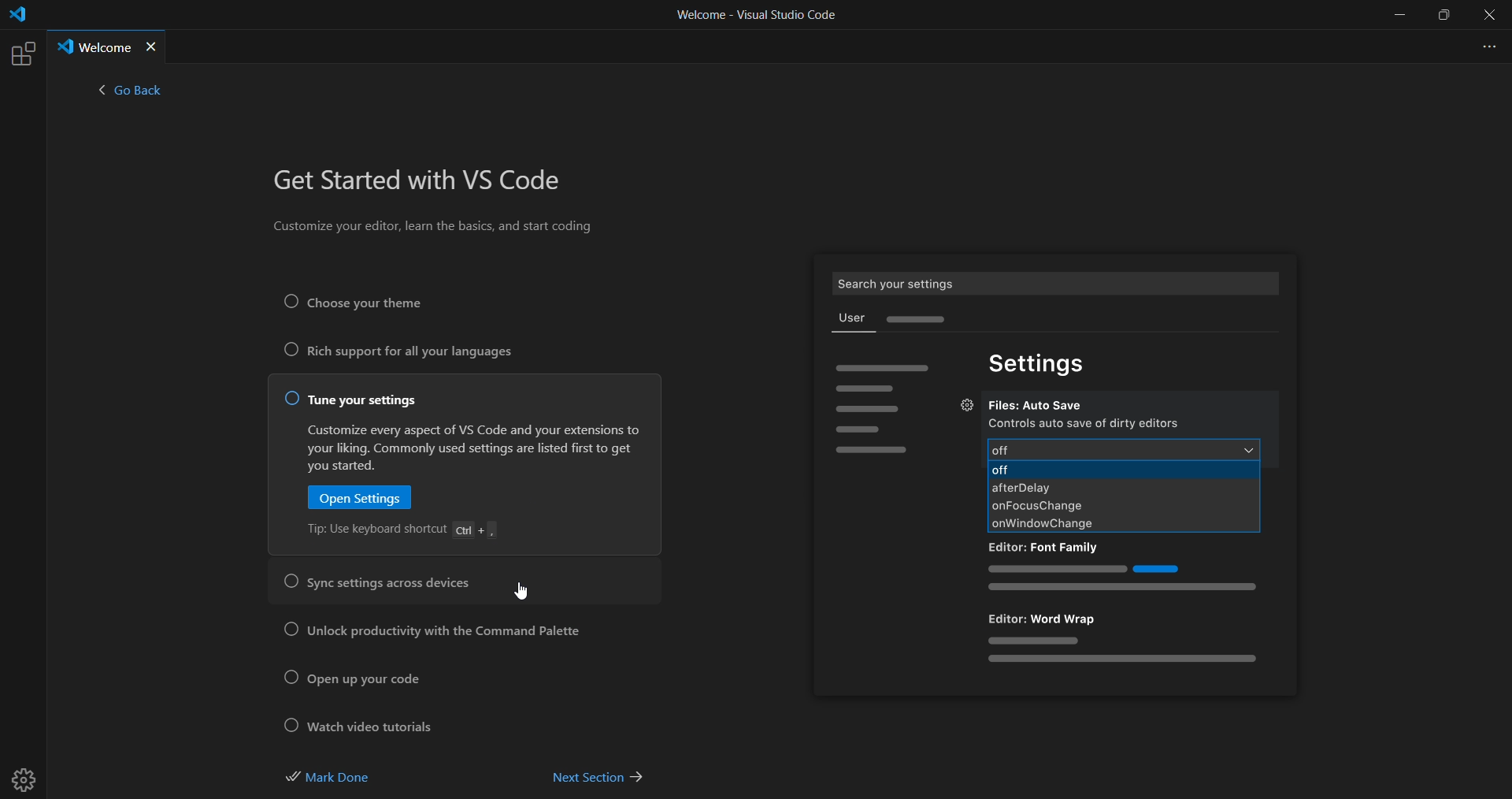 This screenshot has height=799, width=1512. What do you see at coordinates (21, 54) in the screenshot?
I see `extensions` at bounding box center [21, 54].